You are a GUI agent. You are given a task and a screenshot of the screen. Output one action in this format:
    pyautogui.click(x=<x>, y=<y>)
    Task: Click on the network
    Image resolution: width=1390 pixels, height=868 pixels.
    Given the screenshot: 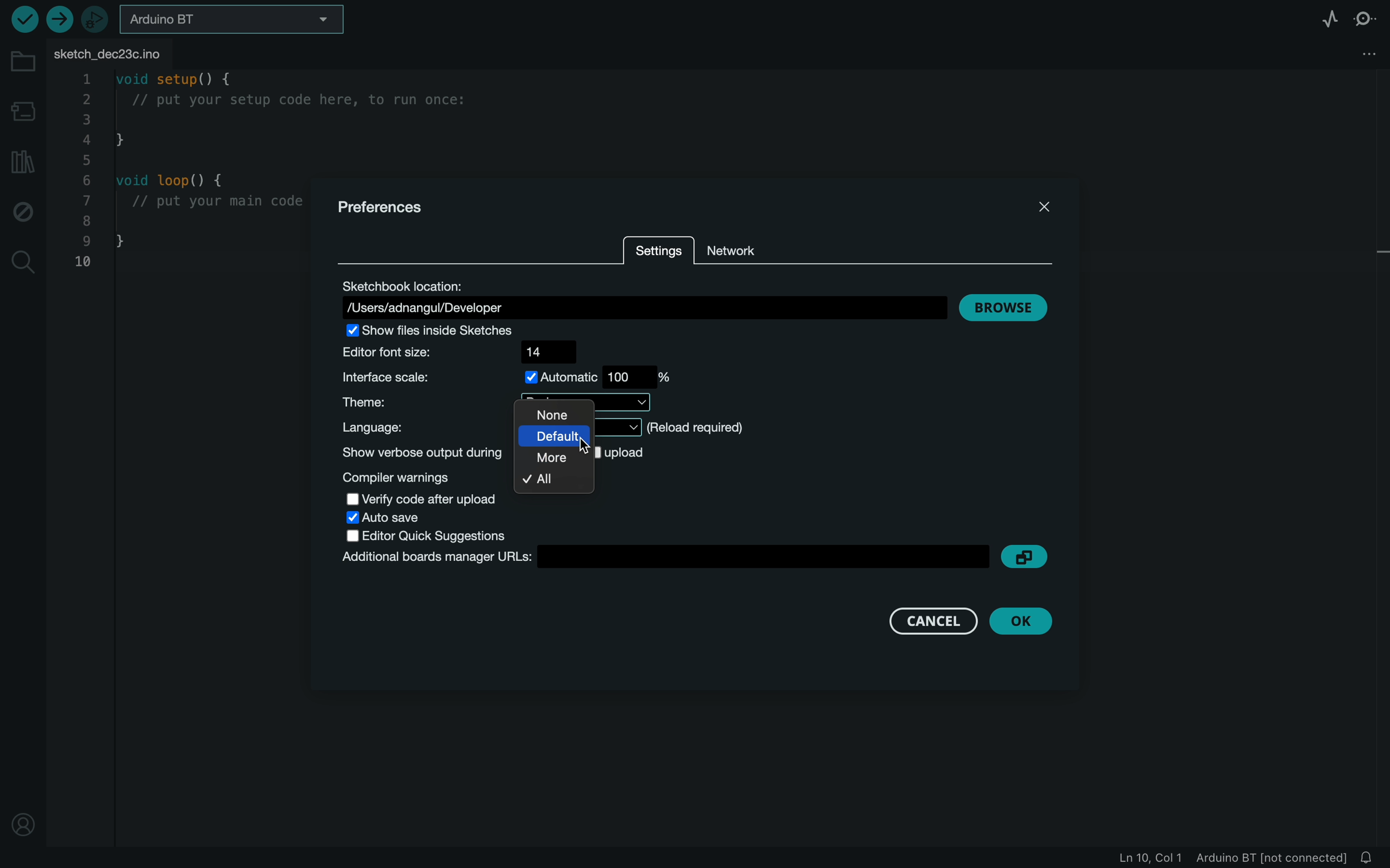 What is the action you would take?
    pyautogui.click(x=737, y=251)
    